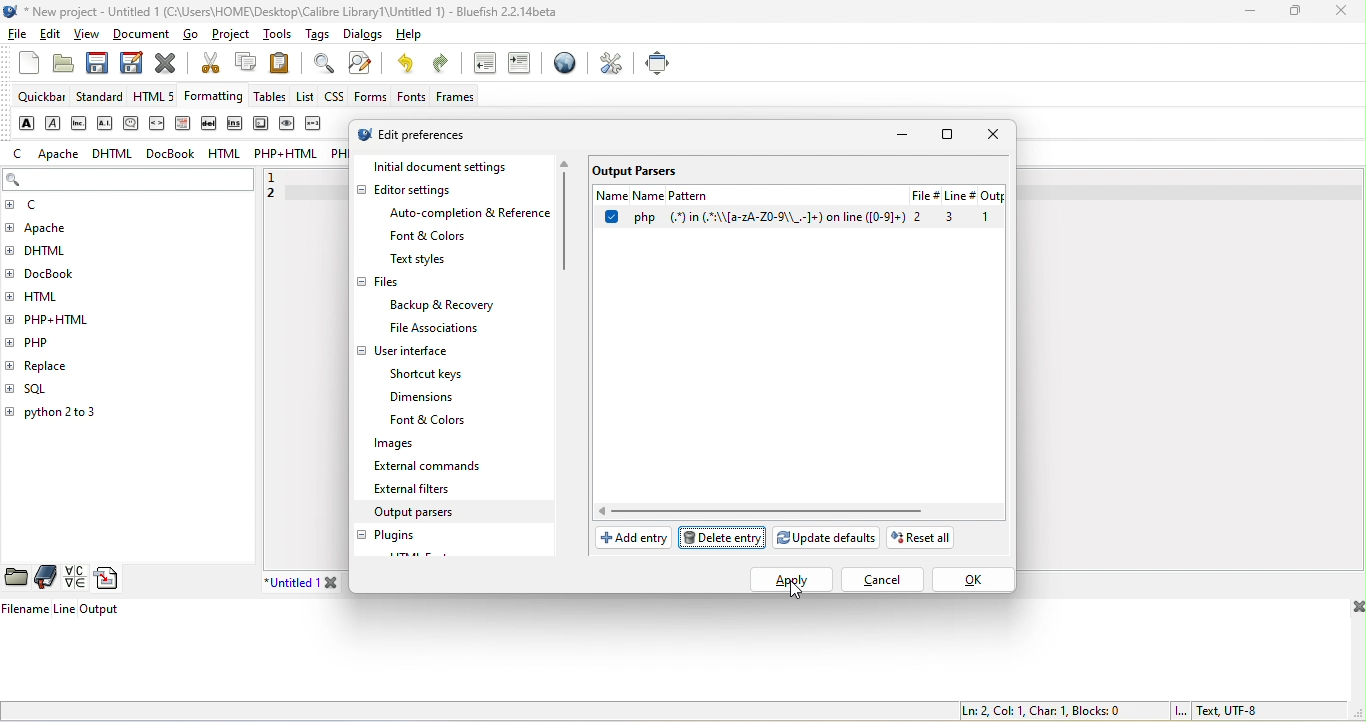  I want to click on html 5, so click(158, 98).